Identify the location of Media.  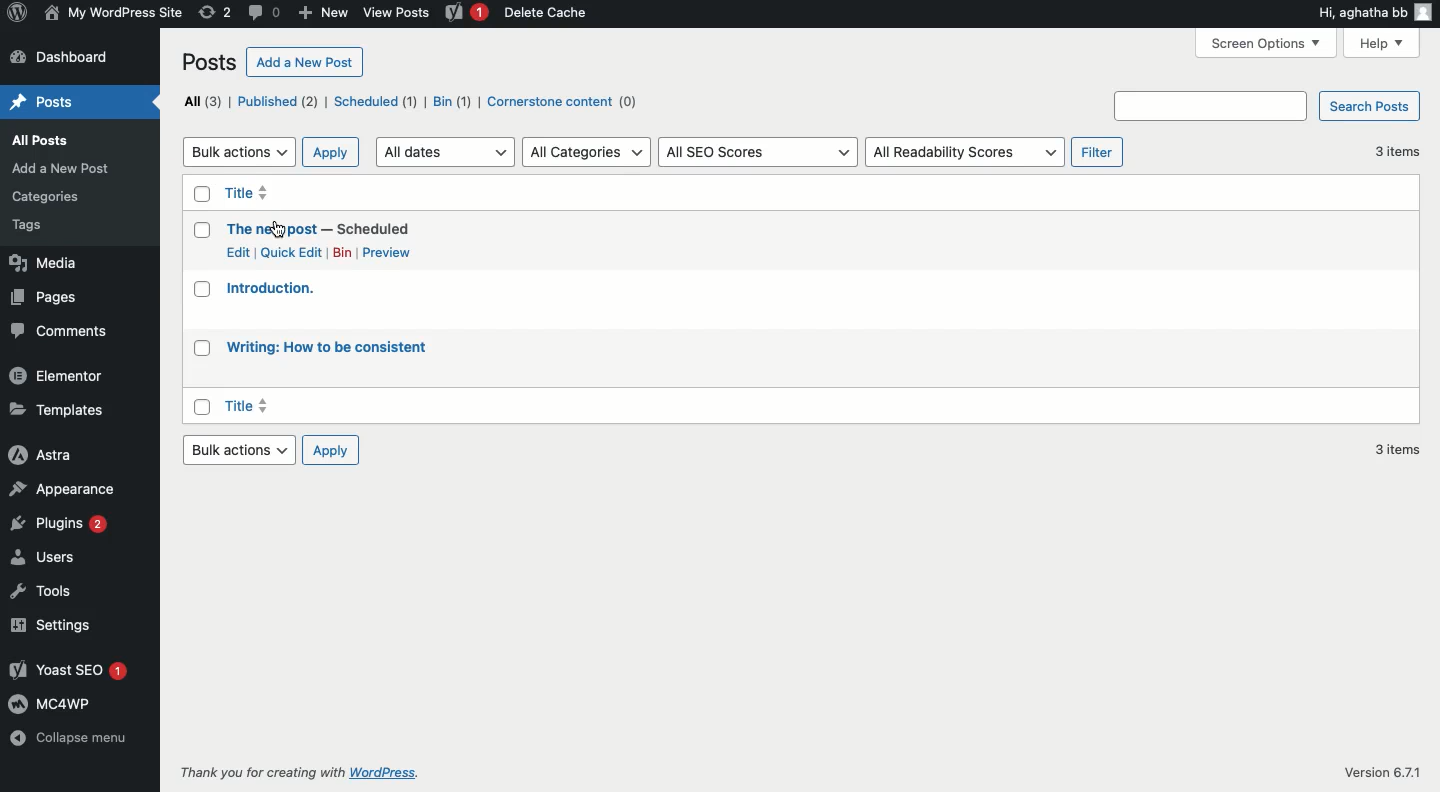
(47, 262).